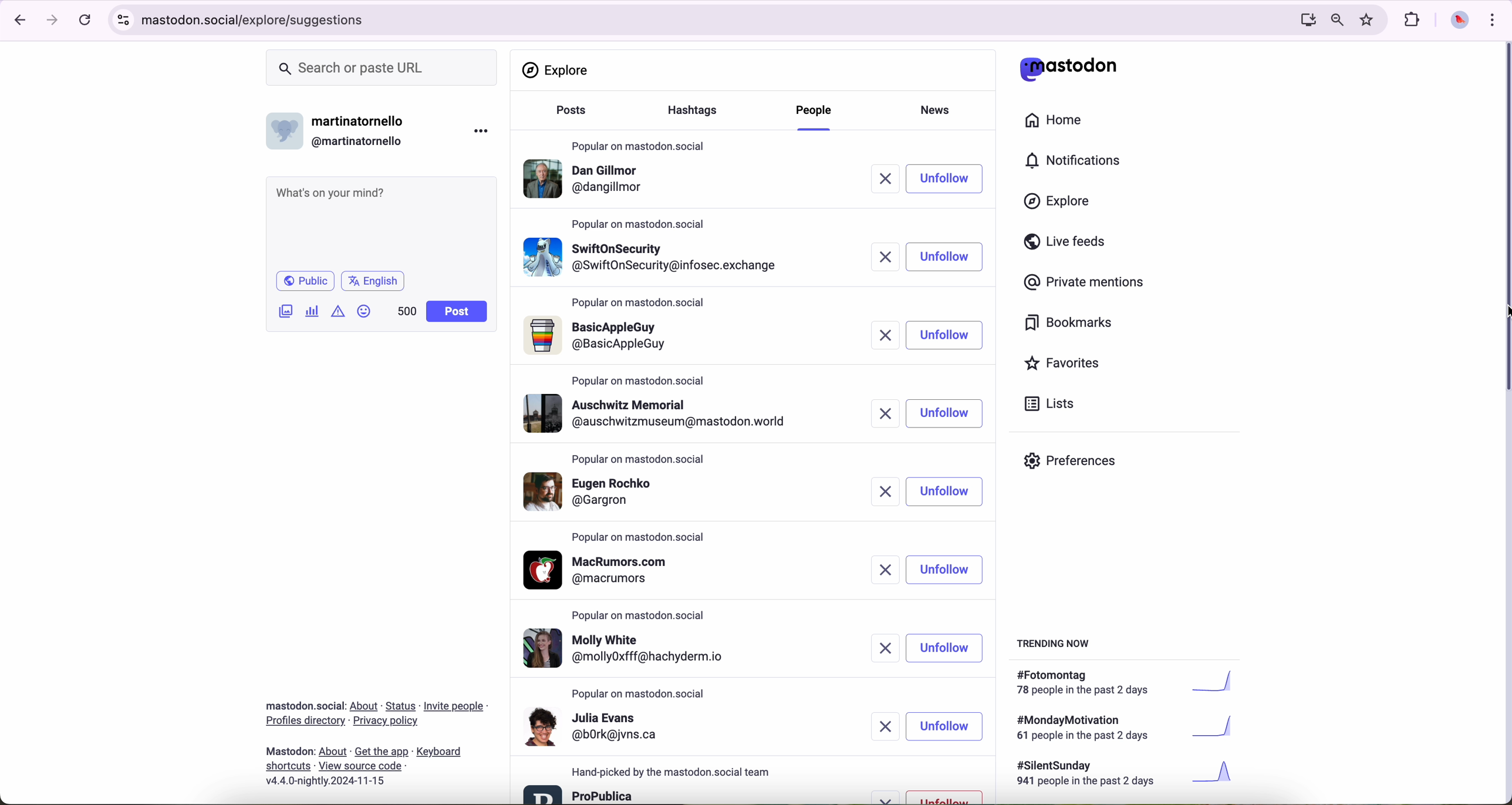 The height and width of the screenshot is (805, 1512). Describe the element at coordinates (883, 491) in the screenshot. I see `remove` at that location.